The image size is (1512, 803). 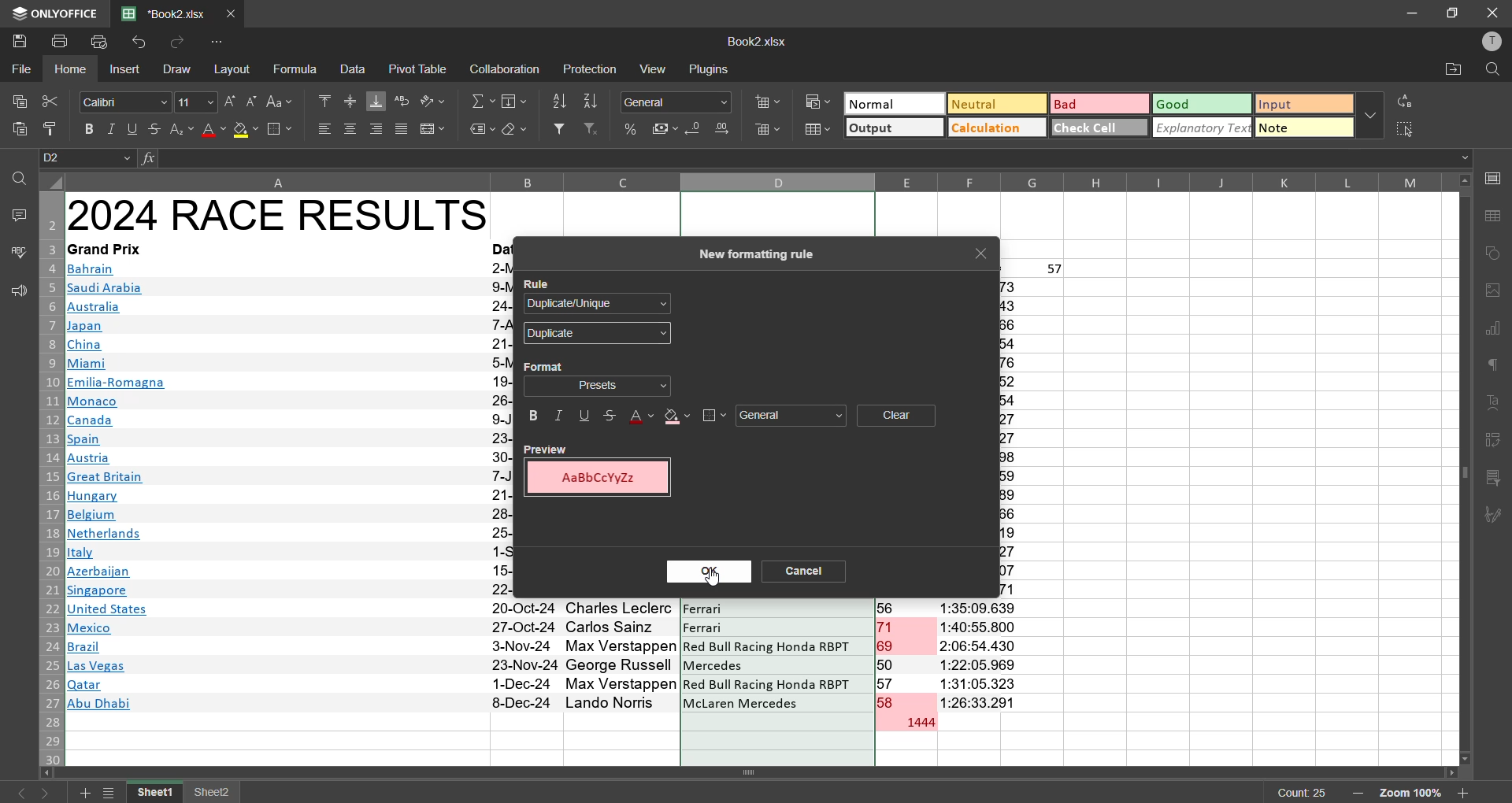 What do you see at coordinates (353, 68) in the screenshot?
I see `data` at bounding box center [353, 68].